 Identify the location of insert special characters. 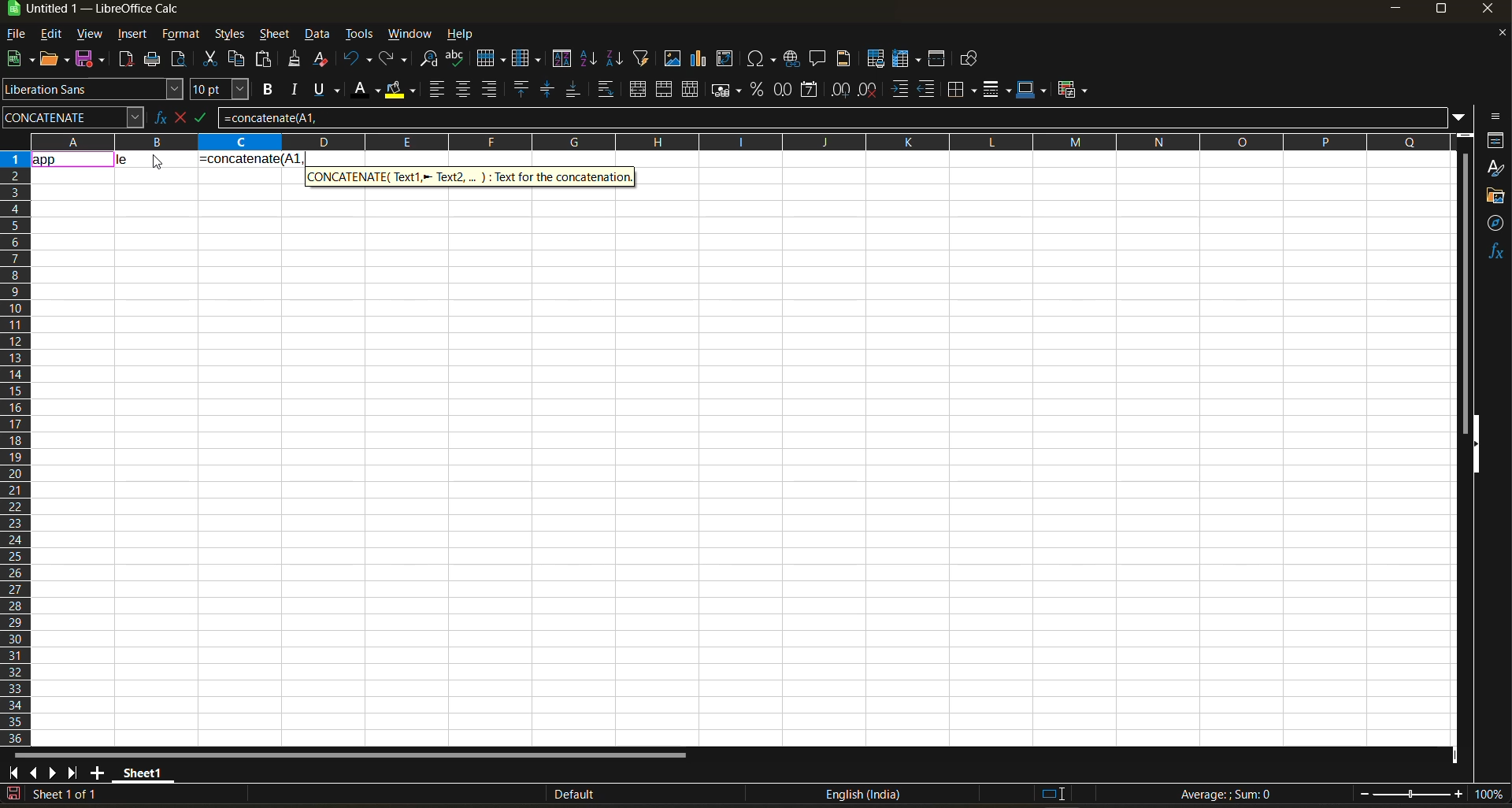
(765, 60).